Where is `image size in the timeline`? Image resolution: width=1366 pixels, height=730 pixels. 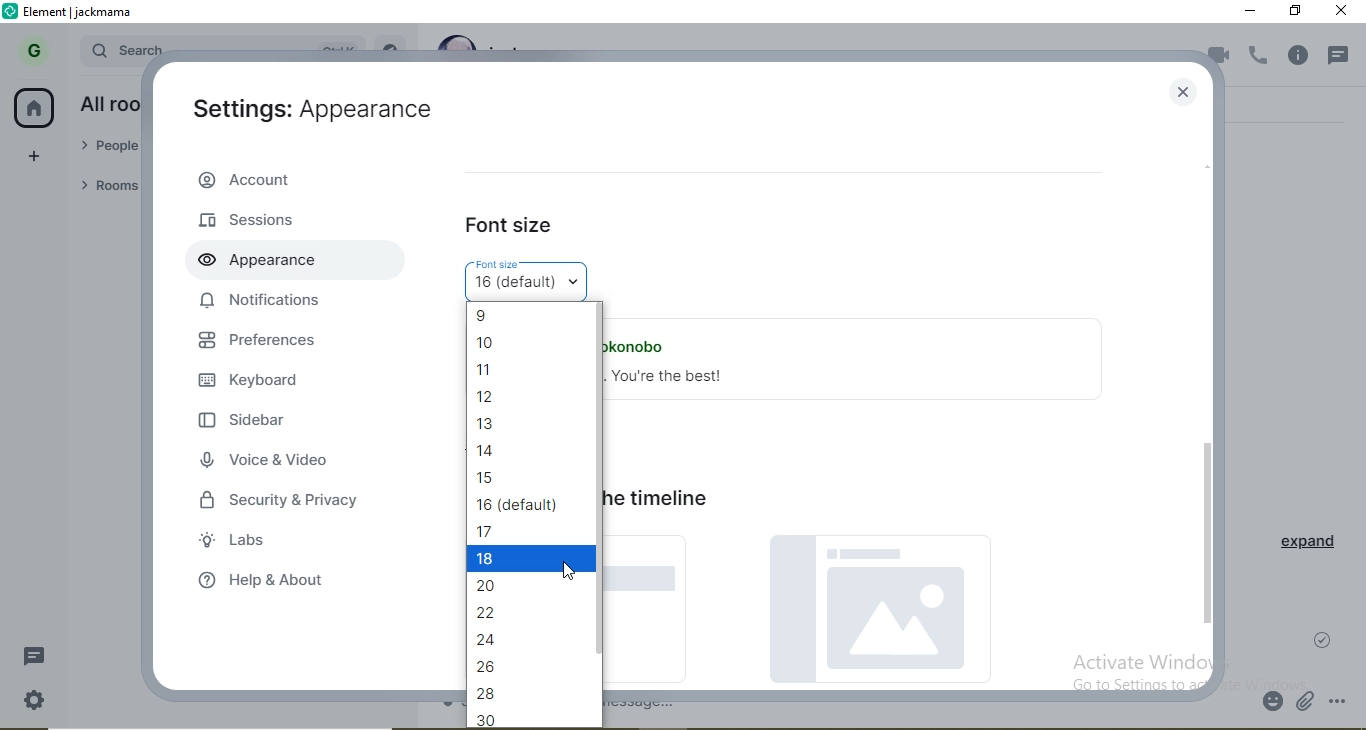 image size in the timeline is located at coordinates (669, 502).